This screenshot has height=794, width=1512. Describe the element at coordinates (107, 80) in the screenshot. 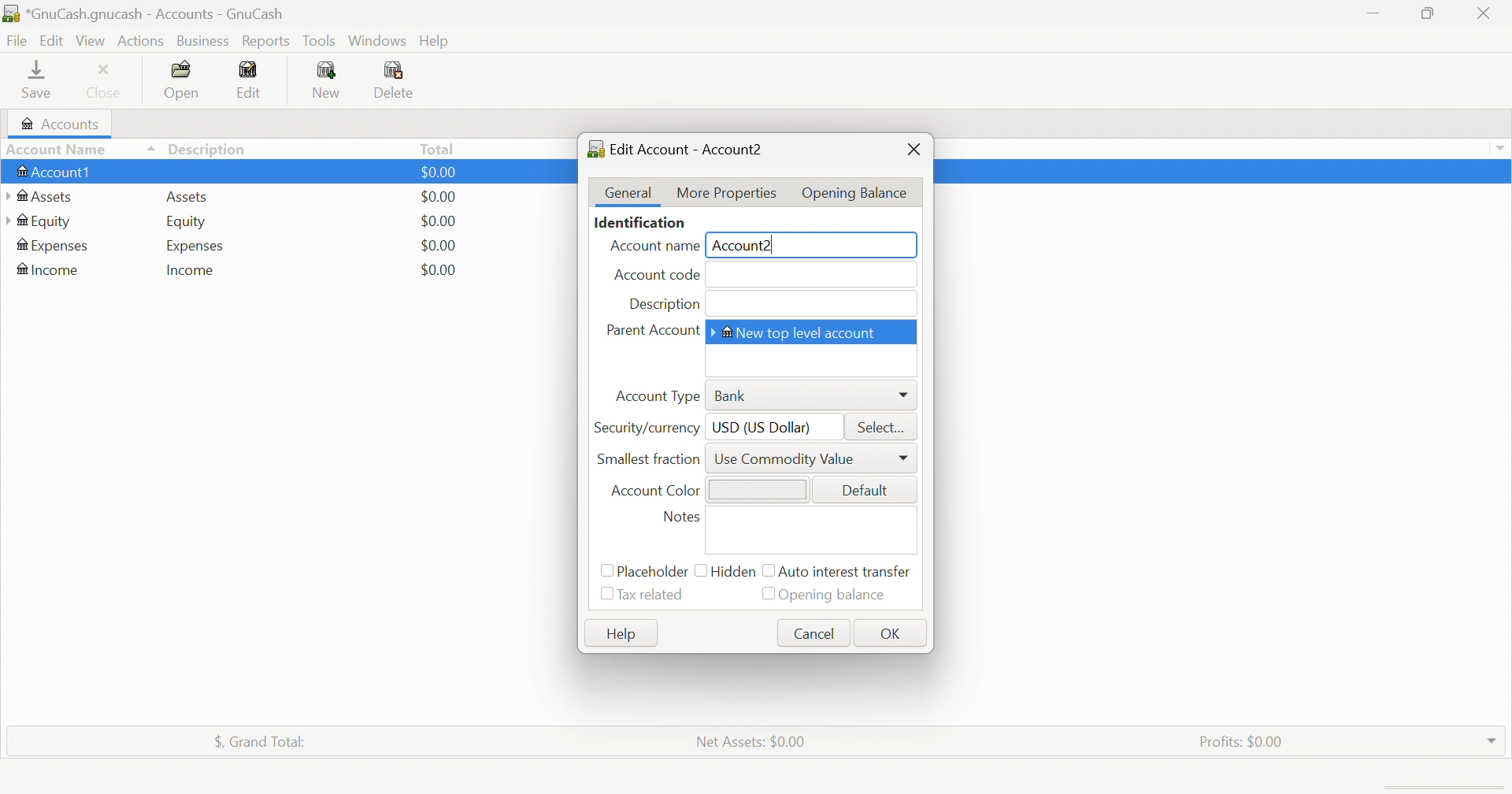

I see `Close` at that location.